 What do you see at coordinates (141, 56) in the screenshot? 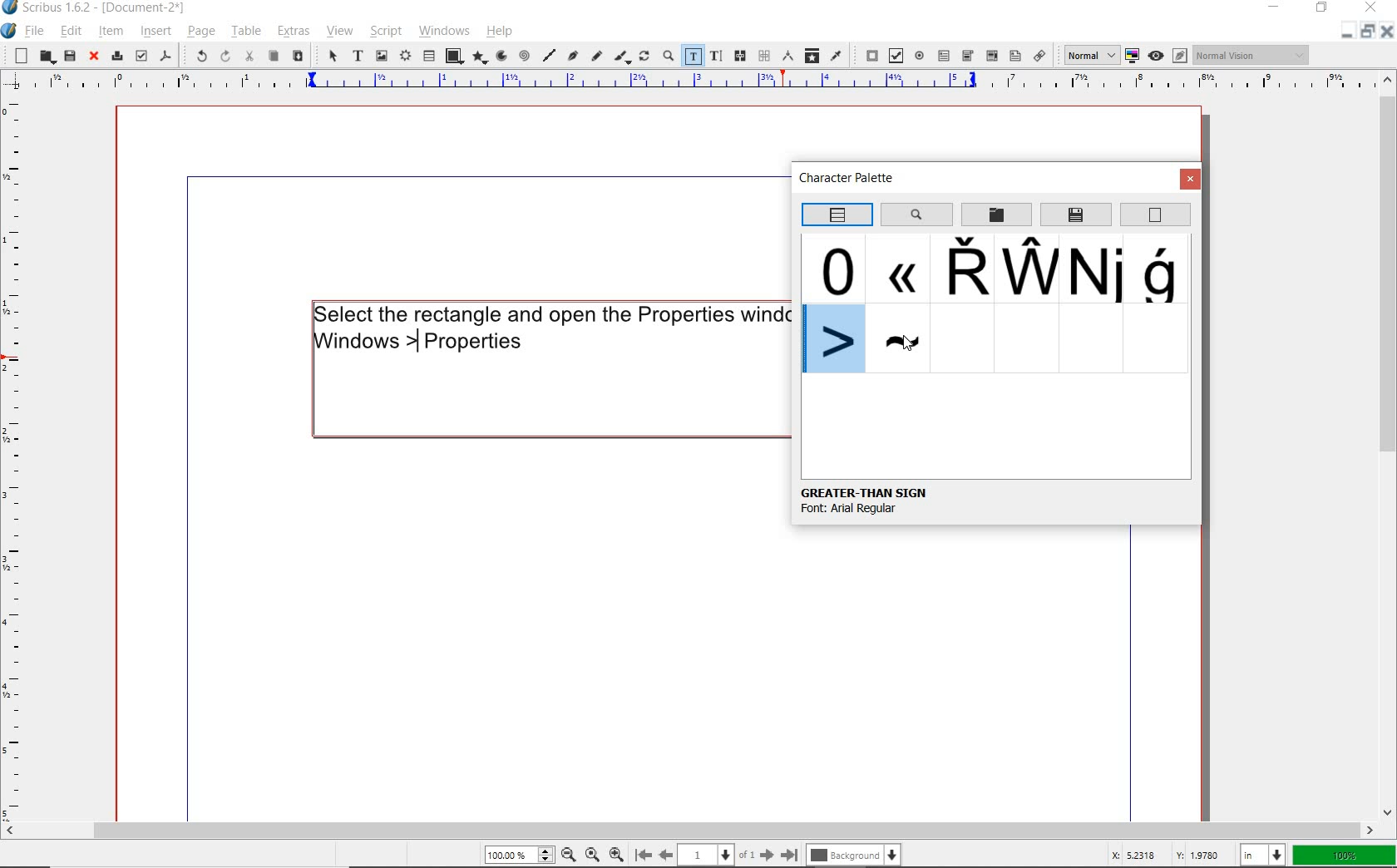
I see `preflight verifier` at bounding box center [141, 56].